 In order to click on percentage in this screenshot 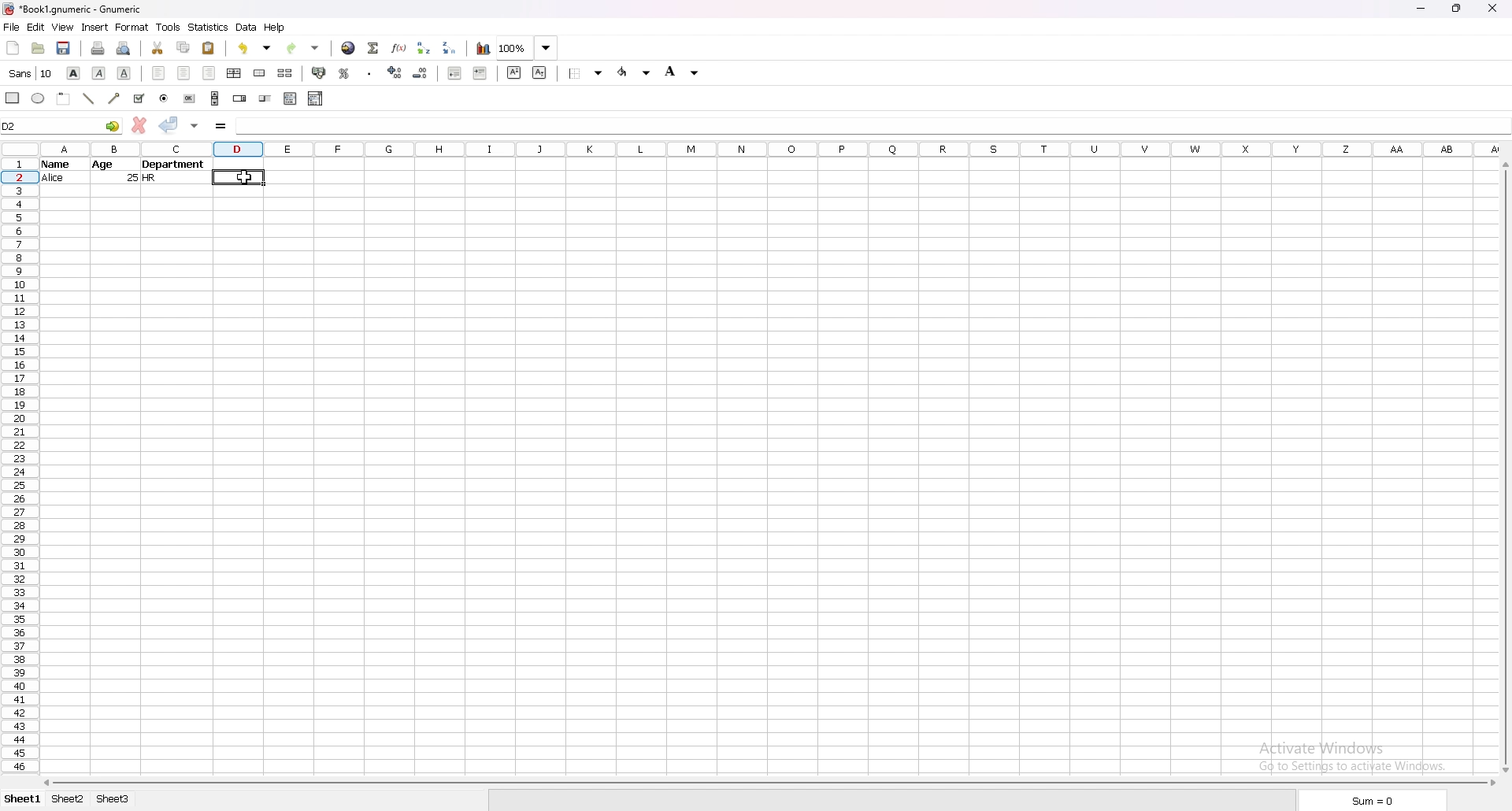, I will do `click(343, 73)`.